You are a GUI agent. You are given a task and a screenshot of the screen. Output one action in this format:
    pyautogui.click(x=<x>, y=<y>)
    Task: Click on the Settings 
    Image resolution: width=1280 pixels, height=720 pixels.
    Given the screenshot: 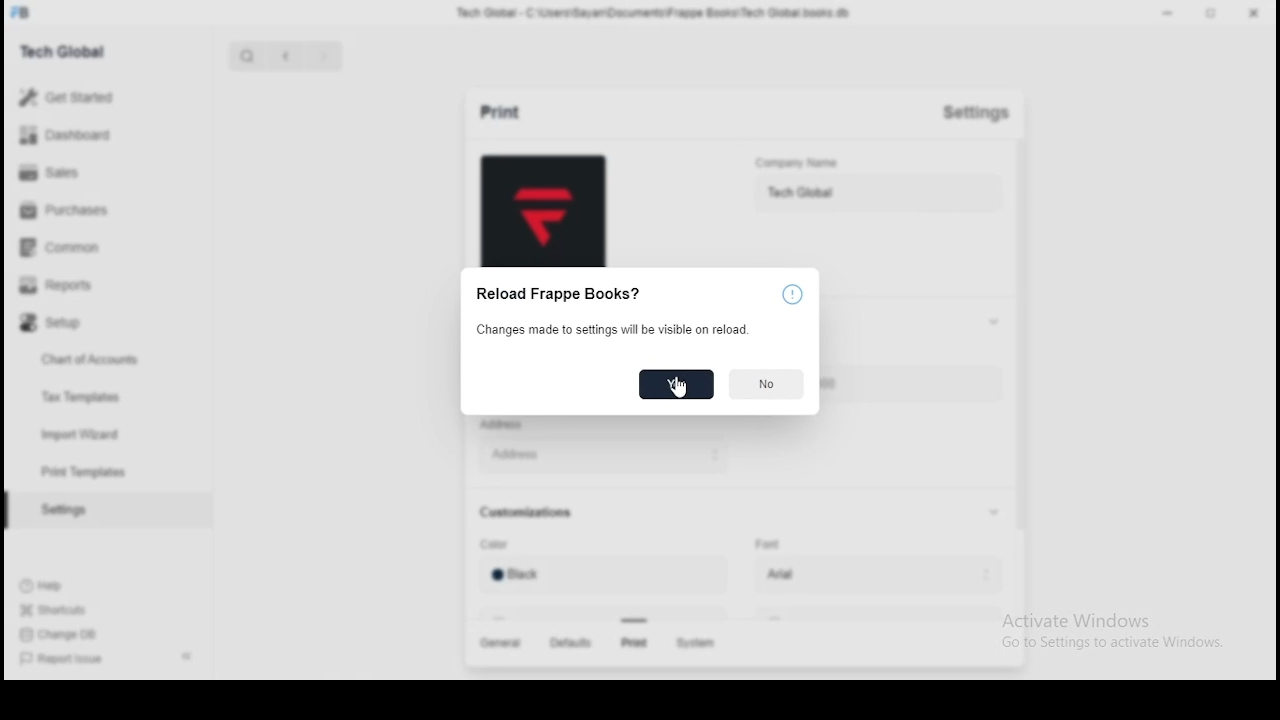 What is the action you would take?
    pyautogui.click(x=63, y=512)
    